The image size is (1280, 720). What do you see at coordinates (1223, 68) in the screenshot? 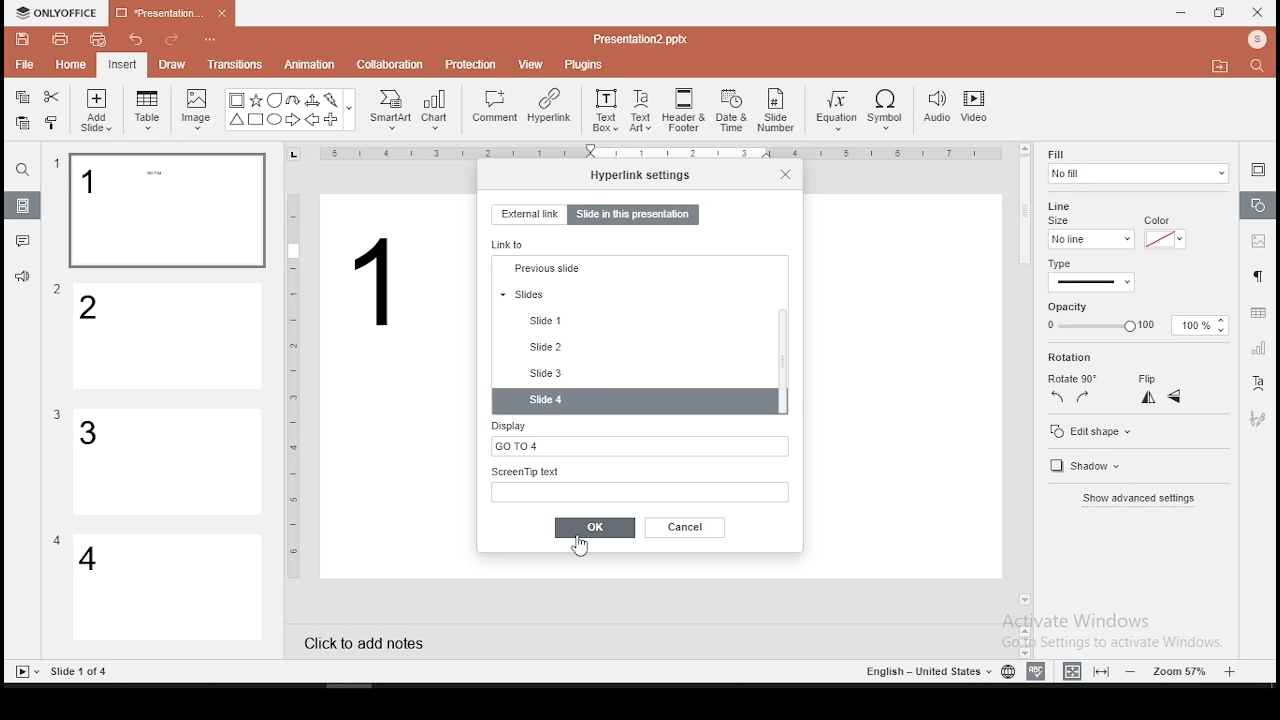
I see `Move to folder` at bounding box center [1223, 68].